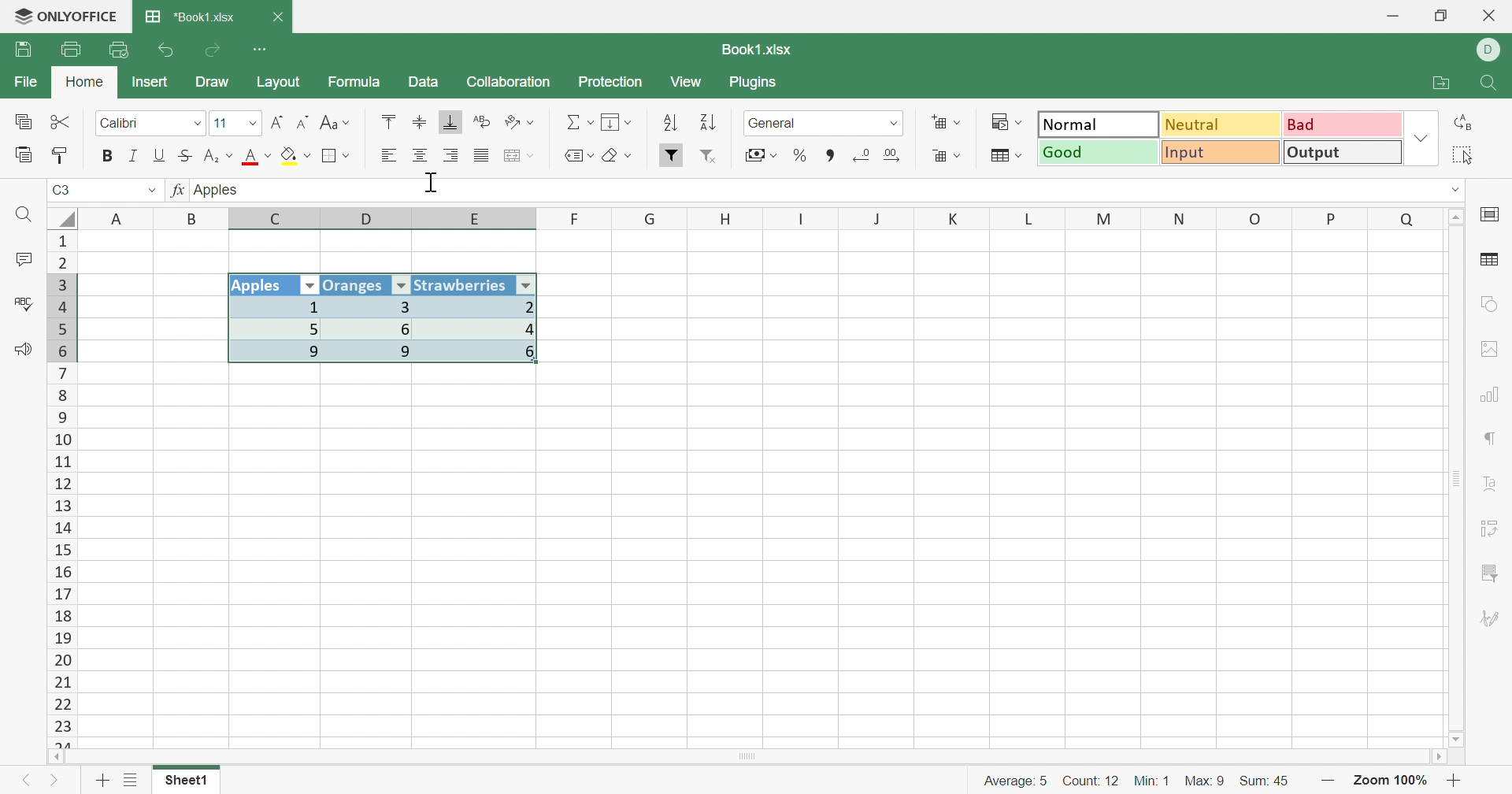 This screenshot has height=794, width=1512. What do you see at coordinates (1392, 17) in the screenshot?
I see `Minimize` at bounding box center [1392, 17].